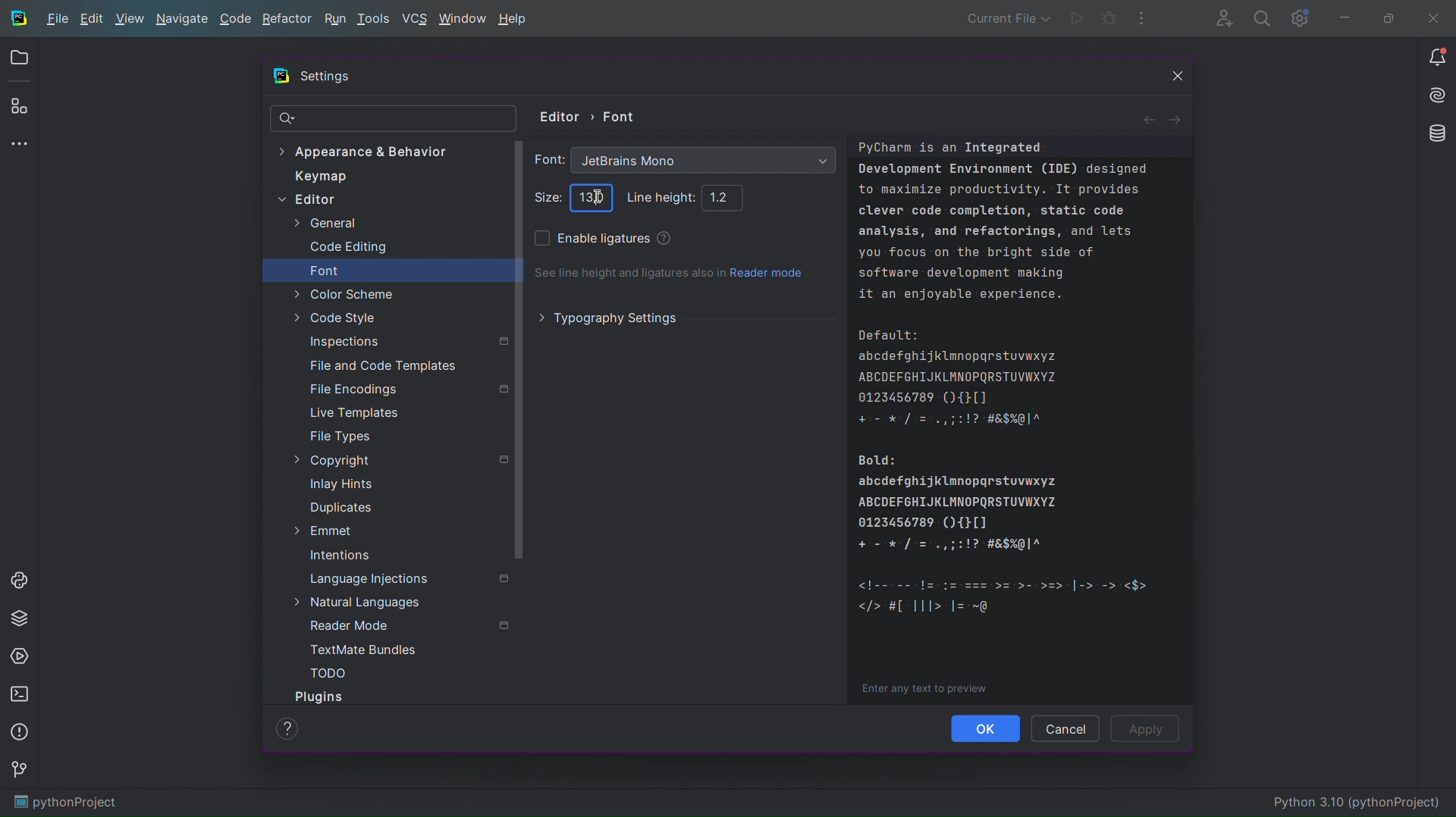 Image resolution: width=1456 pixels, height=817 pixels. What do you see at coordinates (328, 672) in the screenshot?
I see `TODO` at bounding box center [328, 672].